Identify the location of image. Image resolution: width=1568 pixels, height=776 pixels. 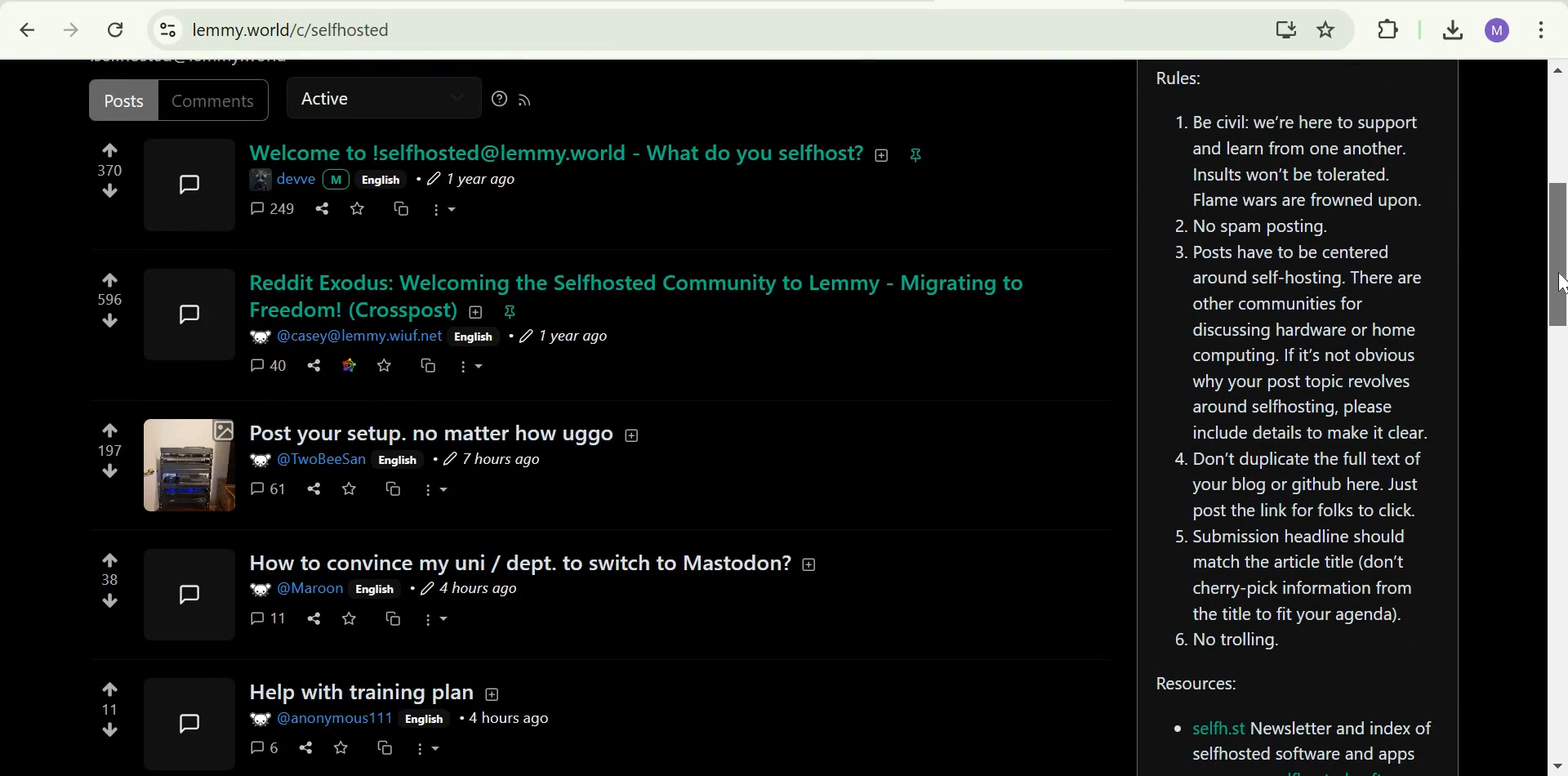
(262, 176).